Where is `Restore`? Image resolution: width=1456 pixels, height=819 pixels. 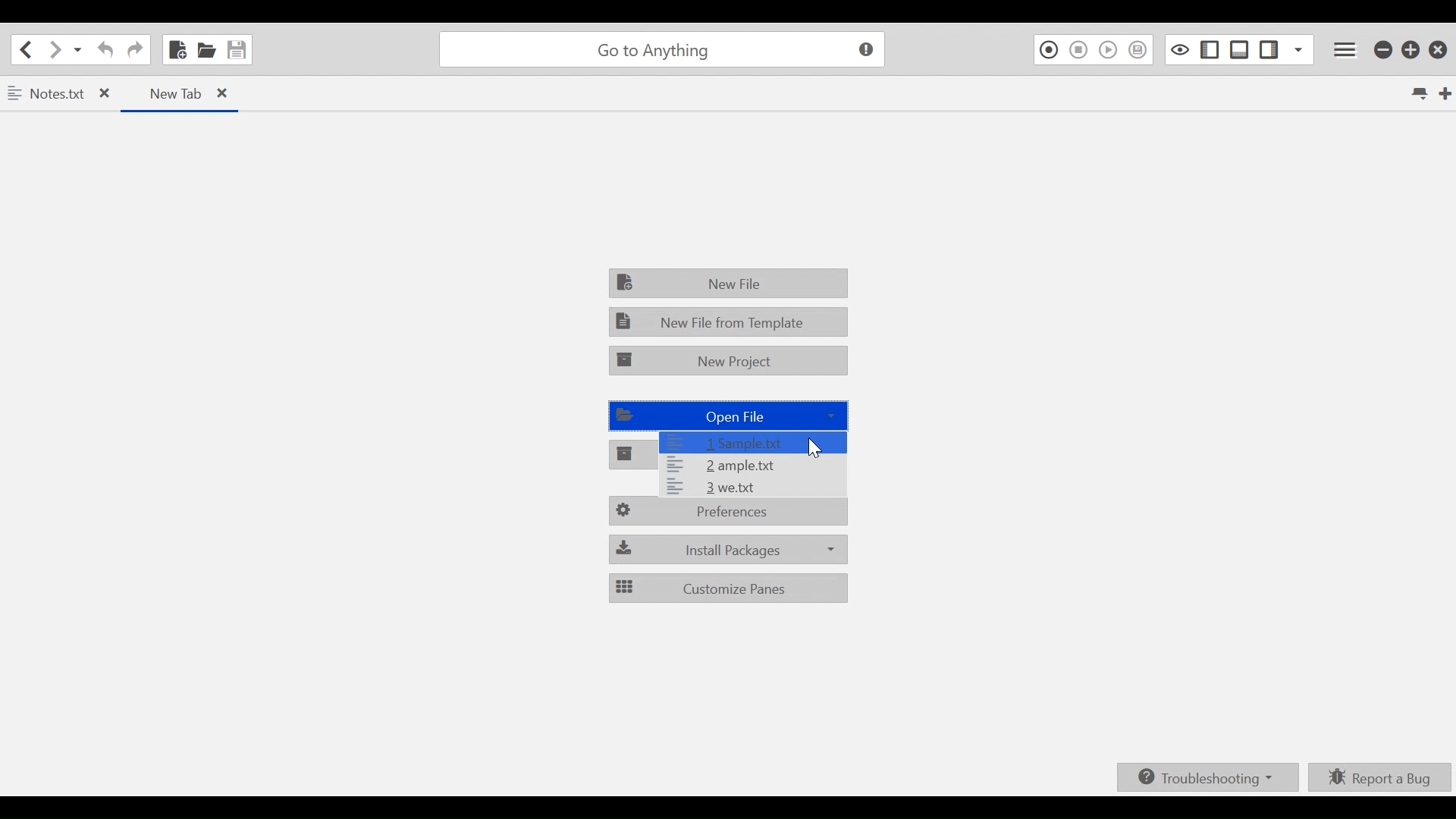
Restore is located at coordinates (1412, 51).